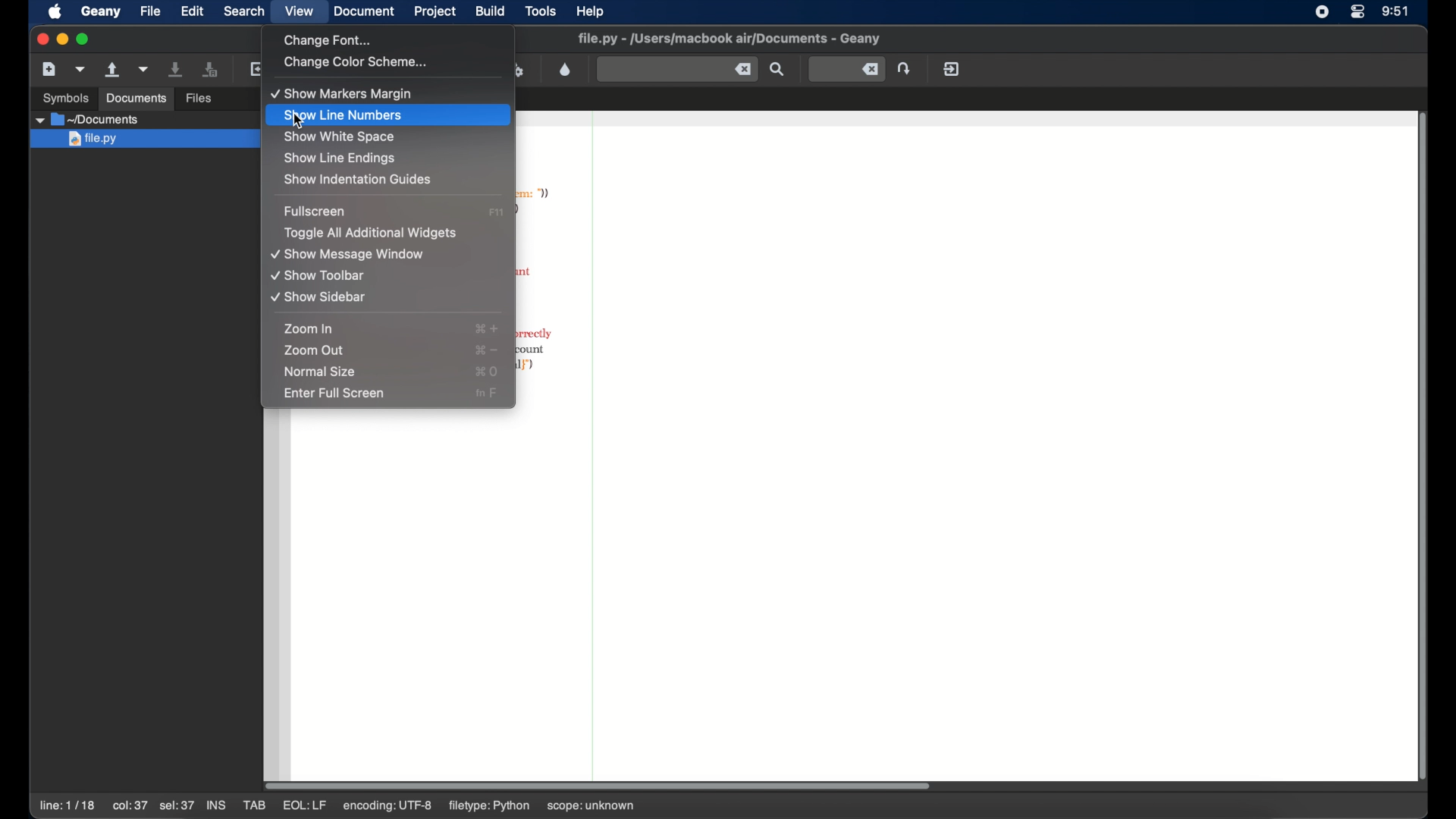  I want to click on zoom in shortcut, so click(488, 328).